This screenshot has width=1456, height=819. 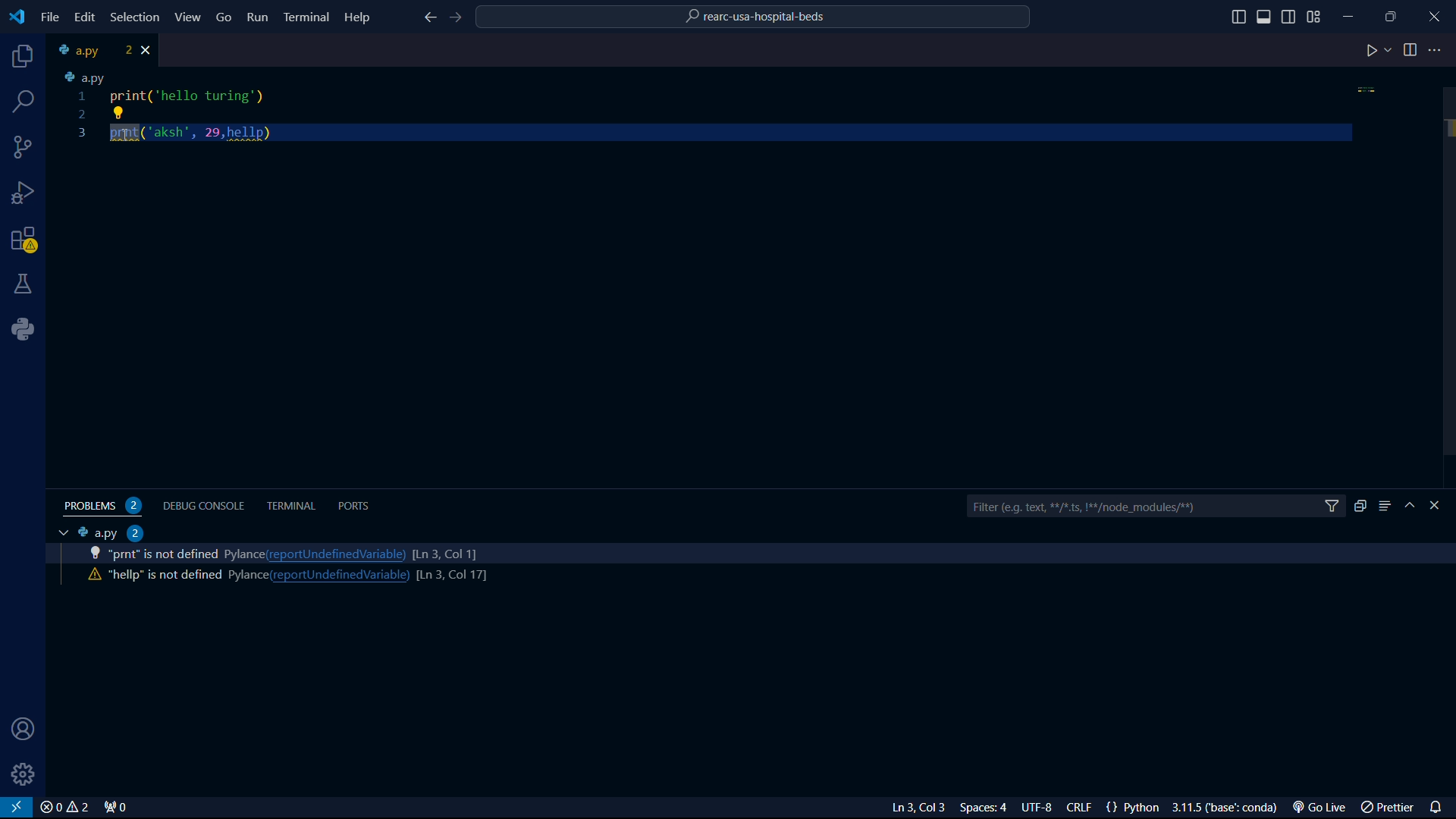 I want to click on tab, so click(x=92, y=50).